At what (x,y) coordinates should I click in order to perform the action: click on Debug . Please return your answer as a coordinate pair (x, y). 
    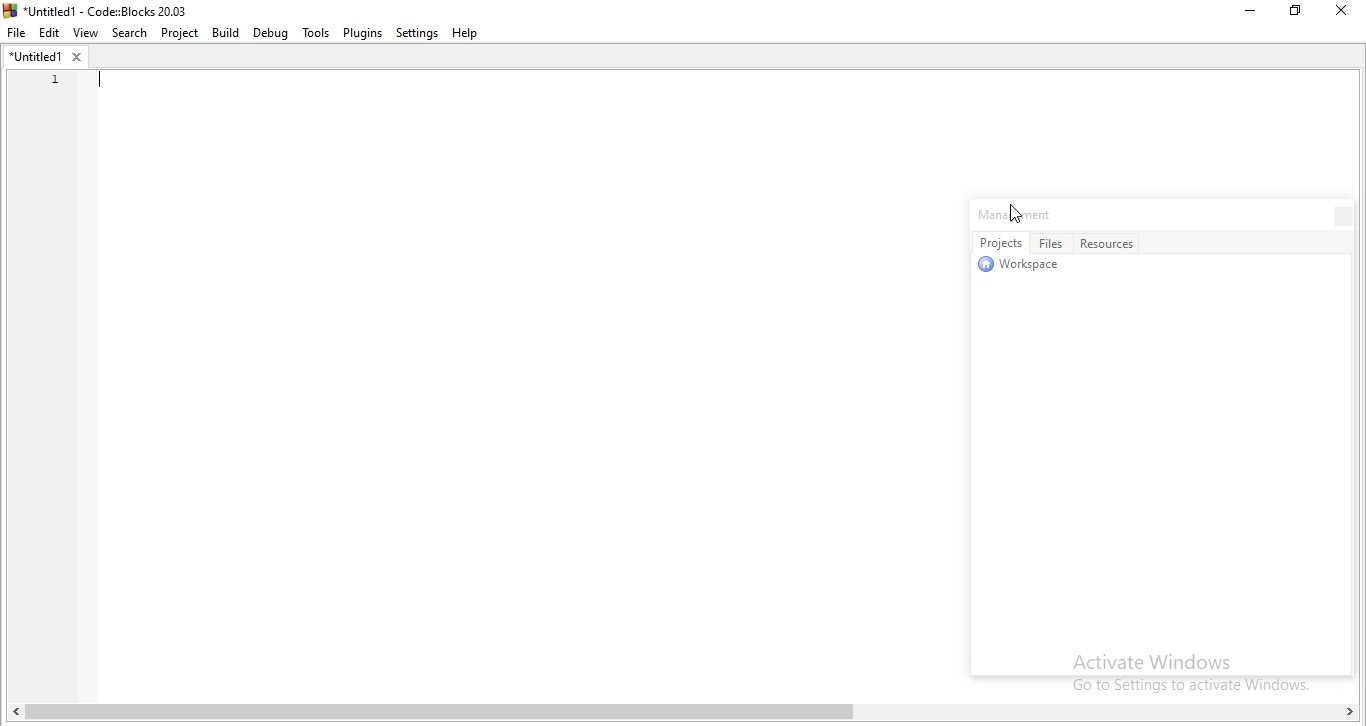
    Looking at the image, I should click on (269, 33).